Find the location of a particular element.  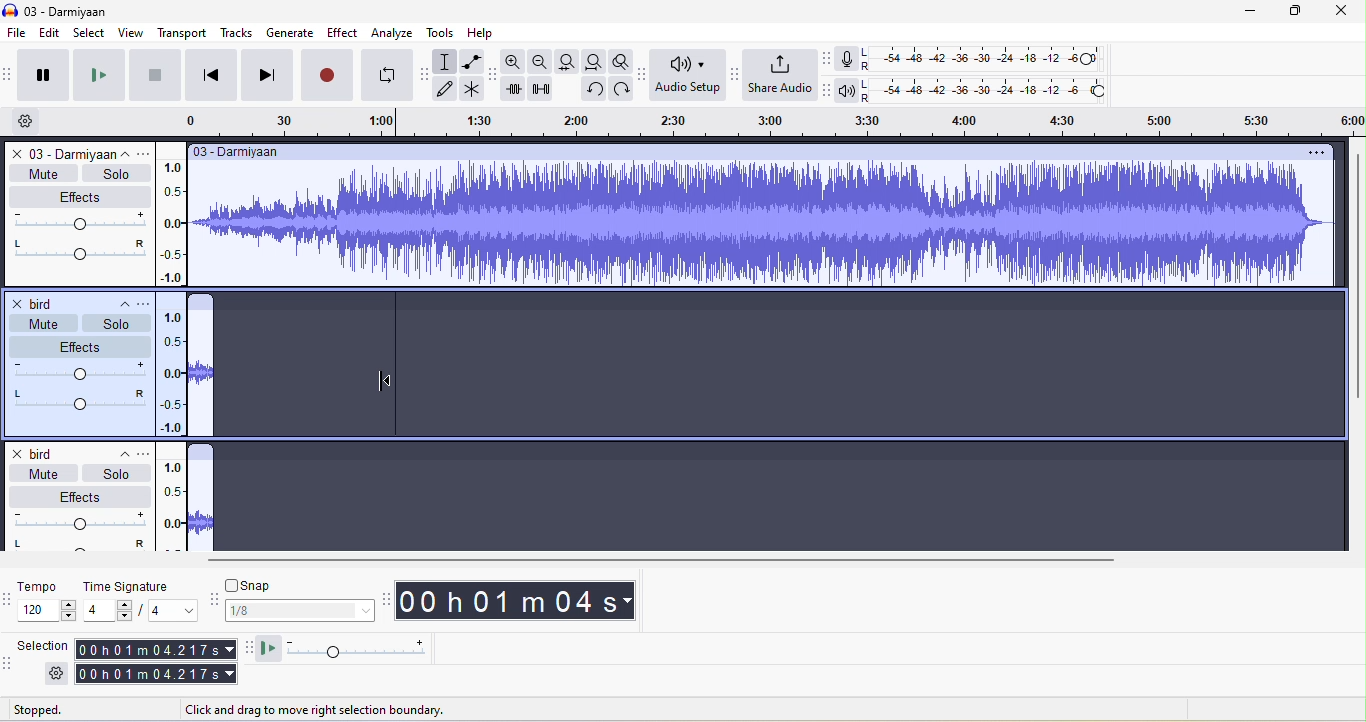

collapse is located at coordinates (129, 153).